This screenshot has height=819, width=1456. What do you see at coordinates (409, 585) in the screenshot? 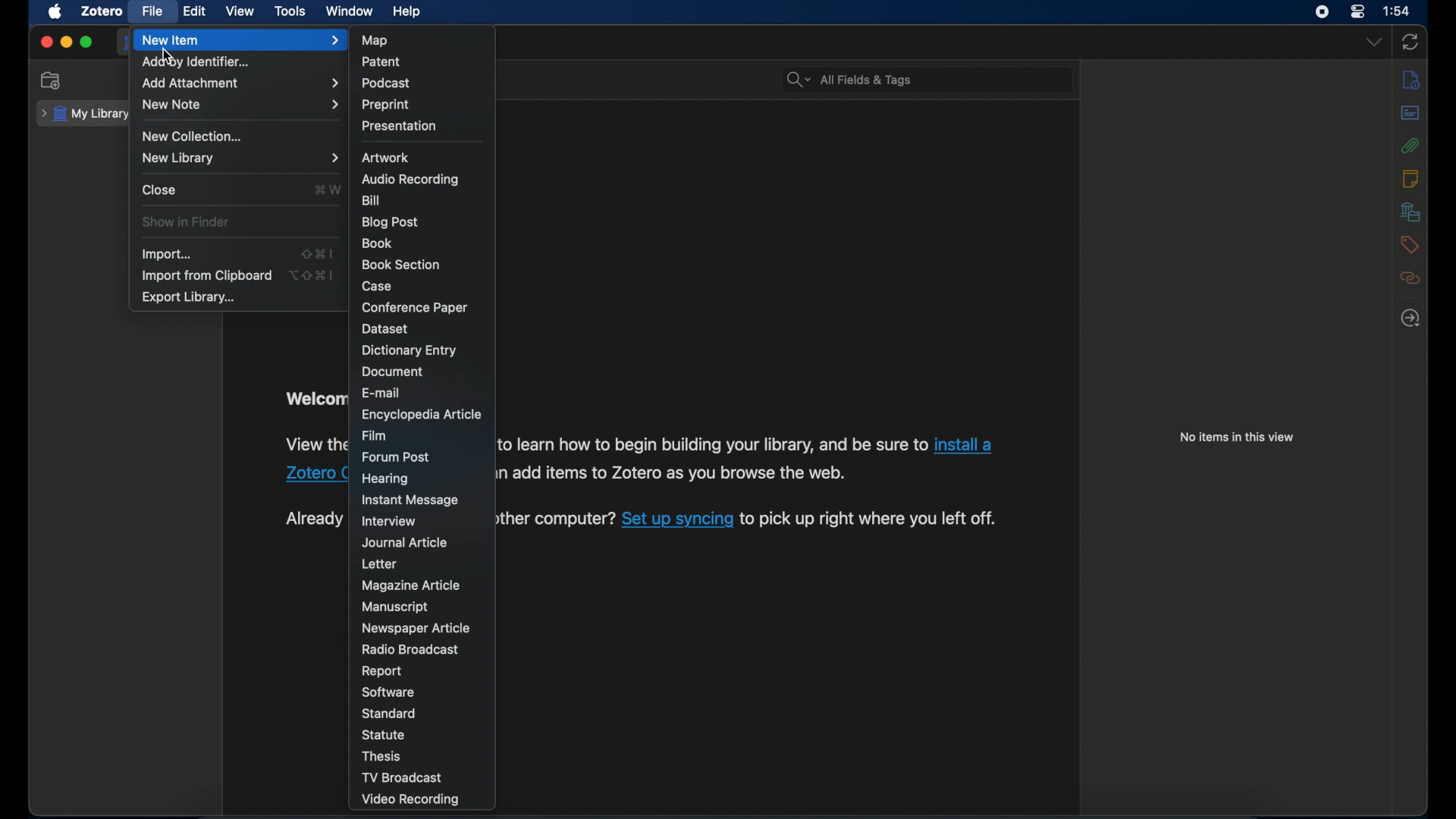
I see `magazine article` at bounding box center [409, 585].